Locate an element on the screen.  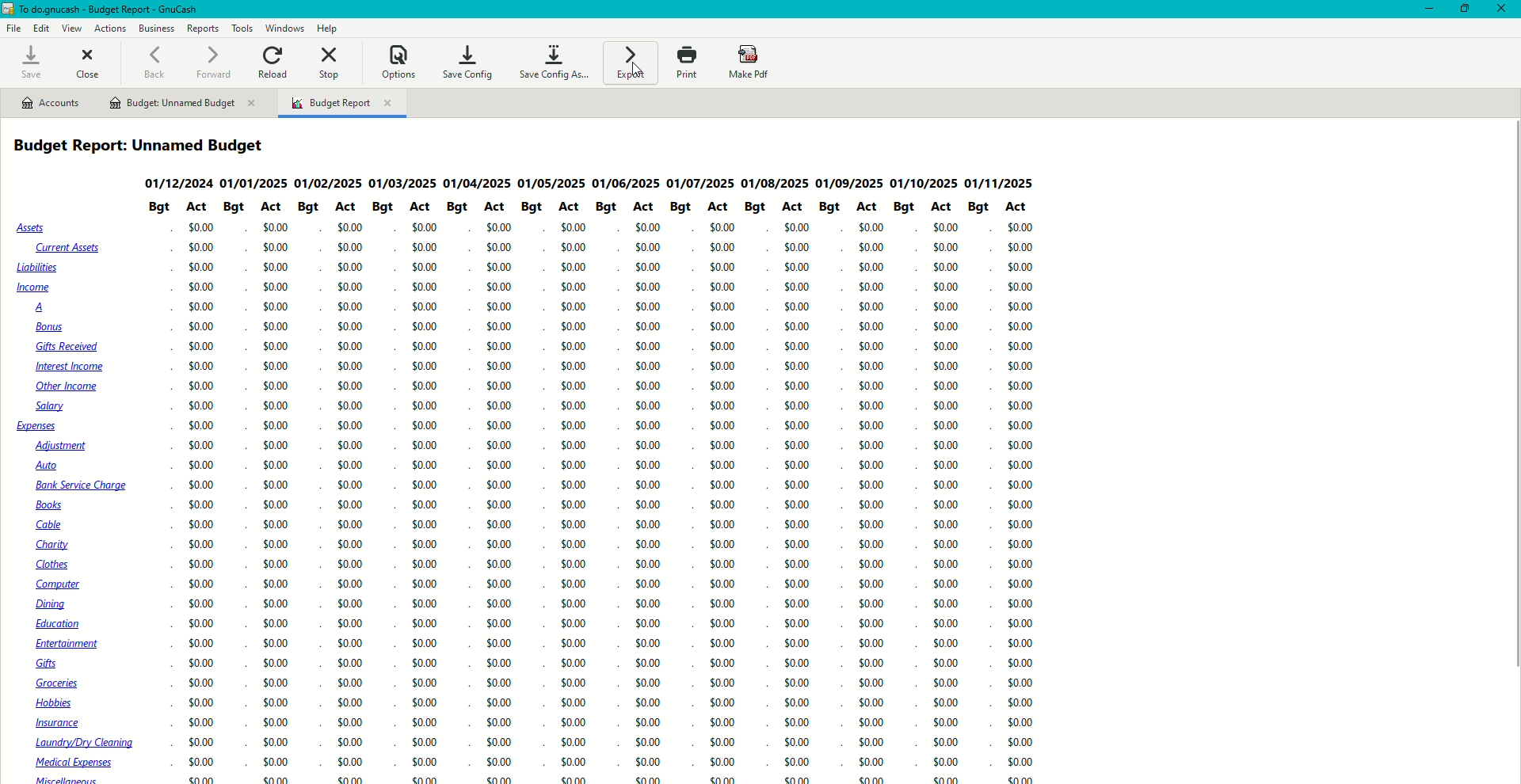
01/11/2025 is located at coordinates (999, 183).